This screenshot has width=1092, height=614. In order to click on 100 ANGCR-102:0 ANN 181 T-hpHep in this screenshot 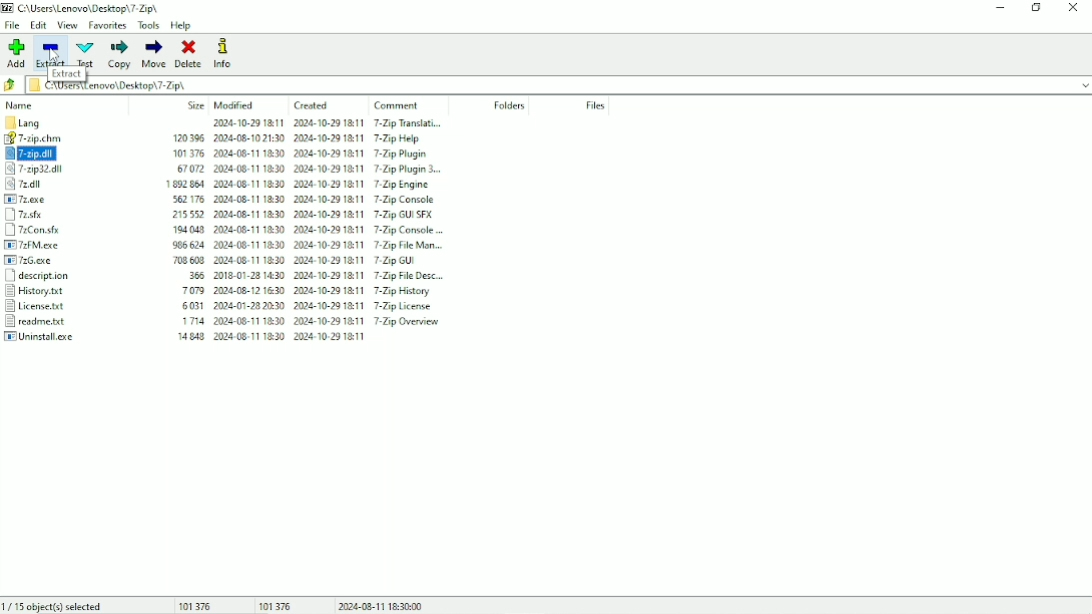, I will do `click(311, 139)`.